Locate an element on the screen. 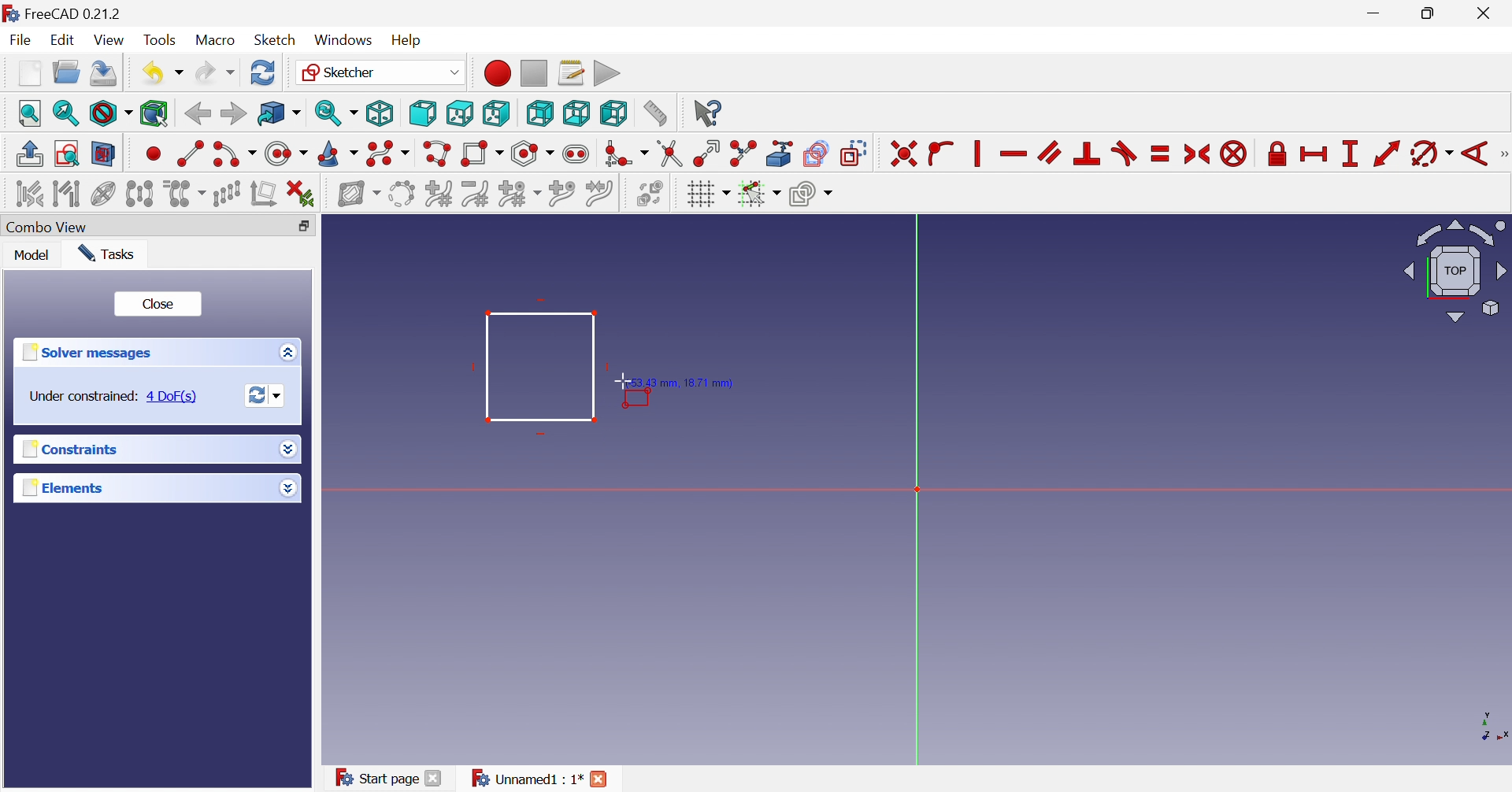  Create slot is located at coordinates (578, 154).